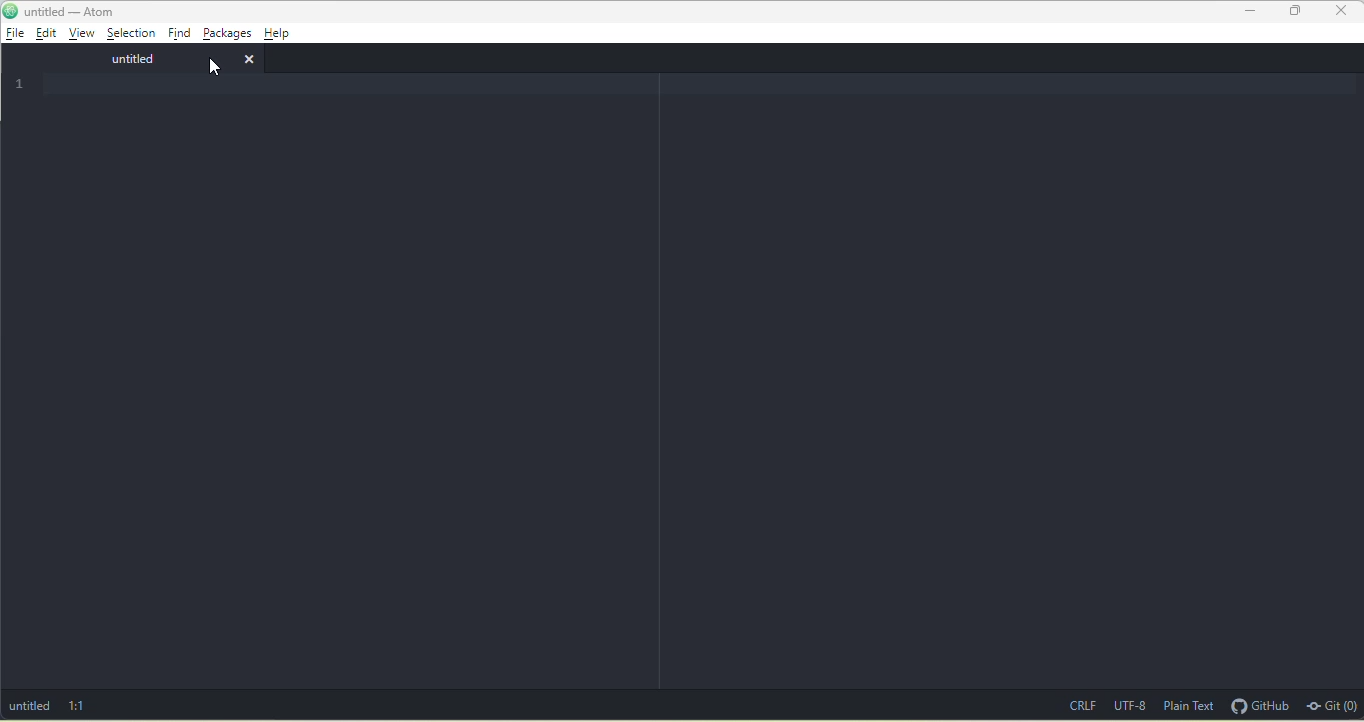  I want to click on plain text, so click(1189, 706).